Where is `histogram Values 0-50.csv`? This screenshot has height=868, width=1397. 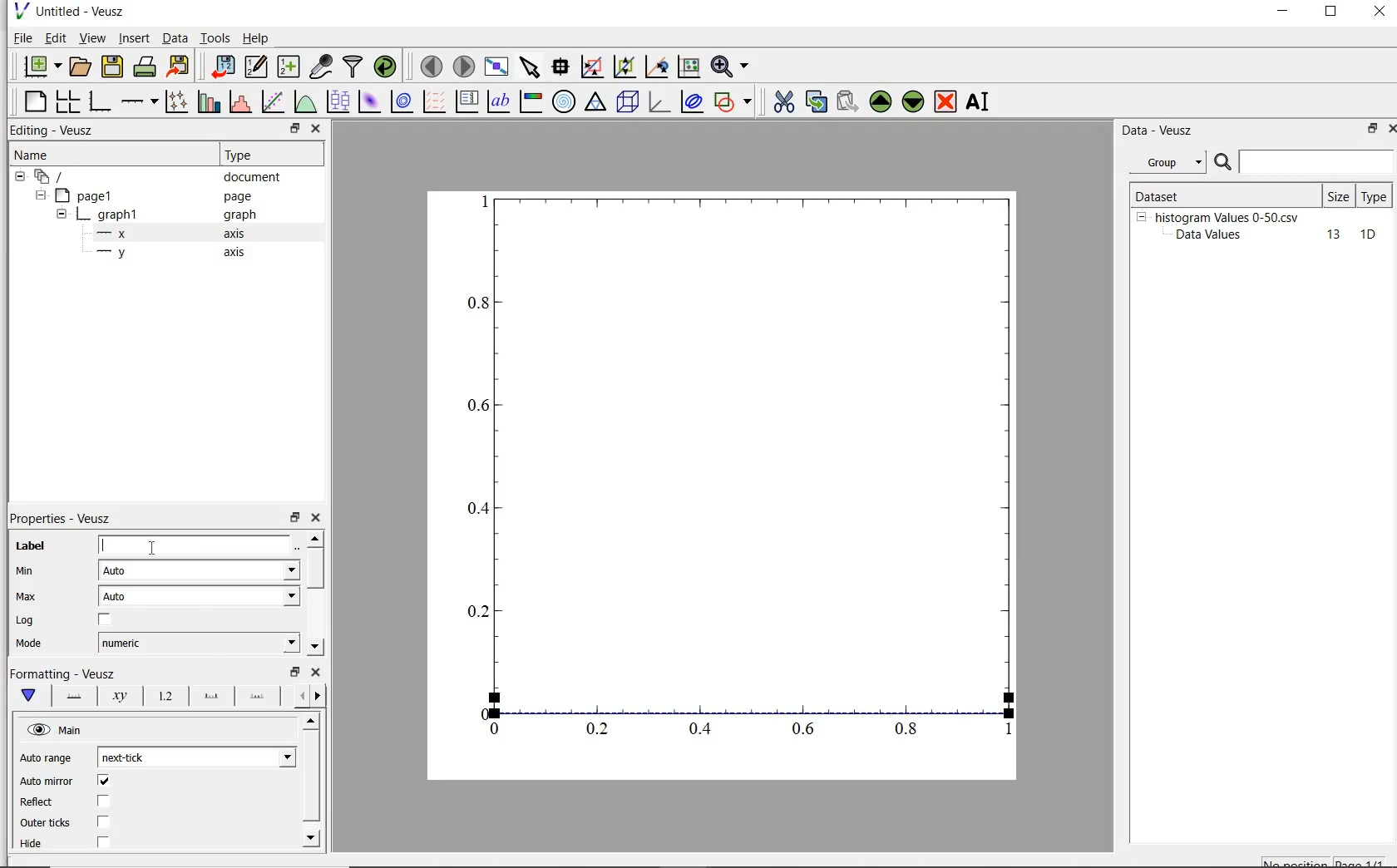
histogram Values 0-50.csv is located at coordinates (1227, 216).